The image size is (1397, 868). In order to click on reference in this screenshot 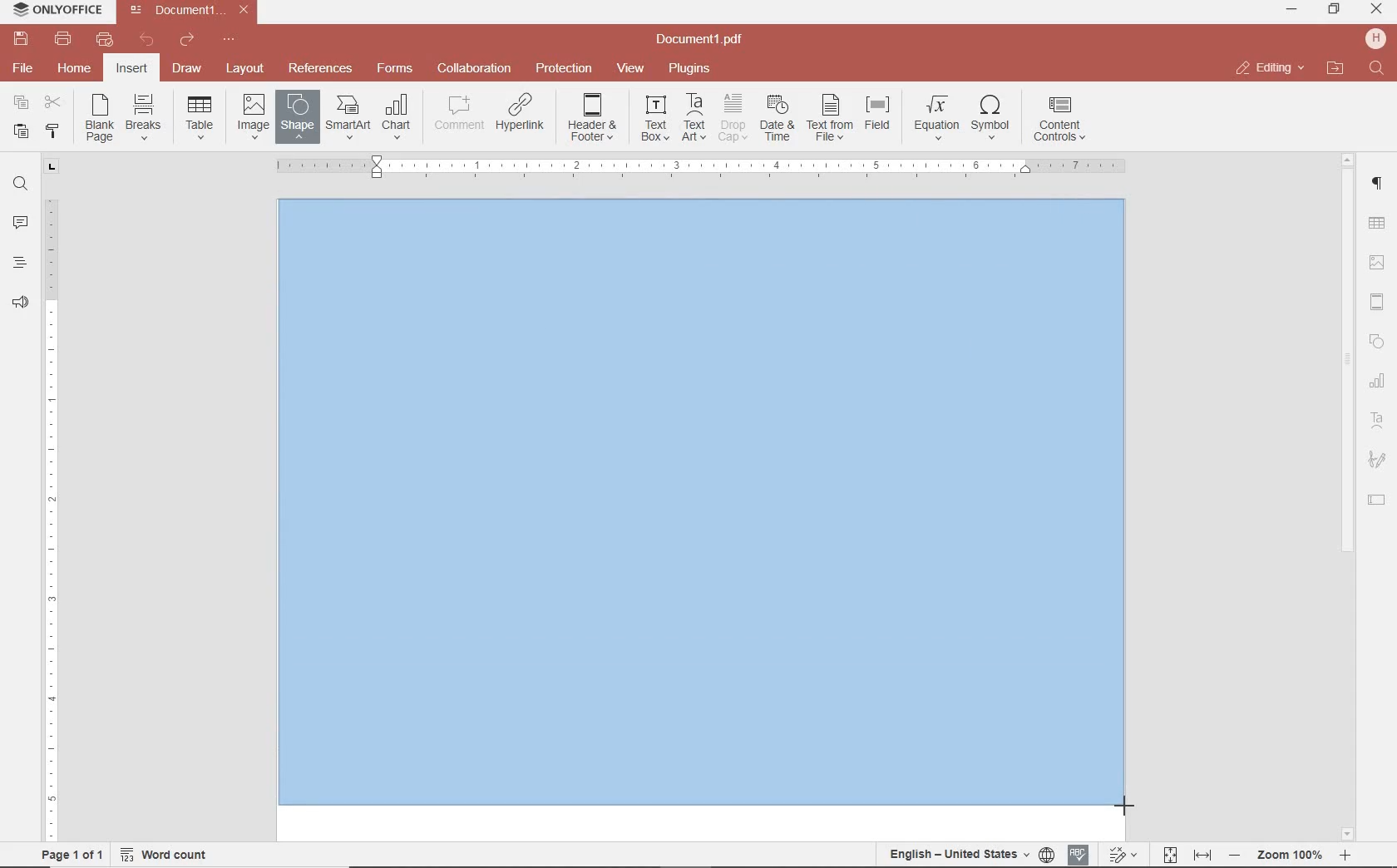, I will do `click(318, 69)`.